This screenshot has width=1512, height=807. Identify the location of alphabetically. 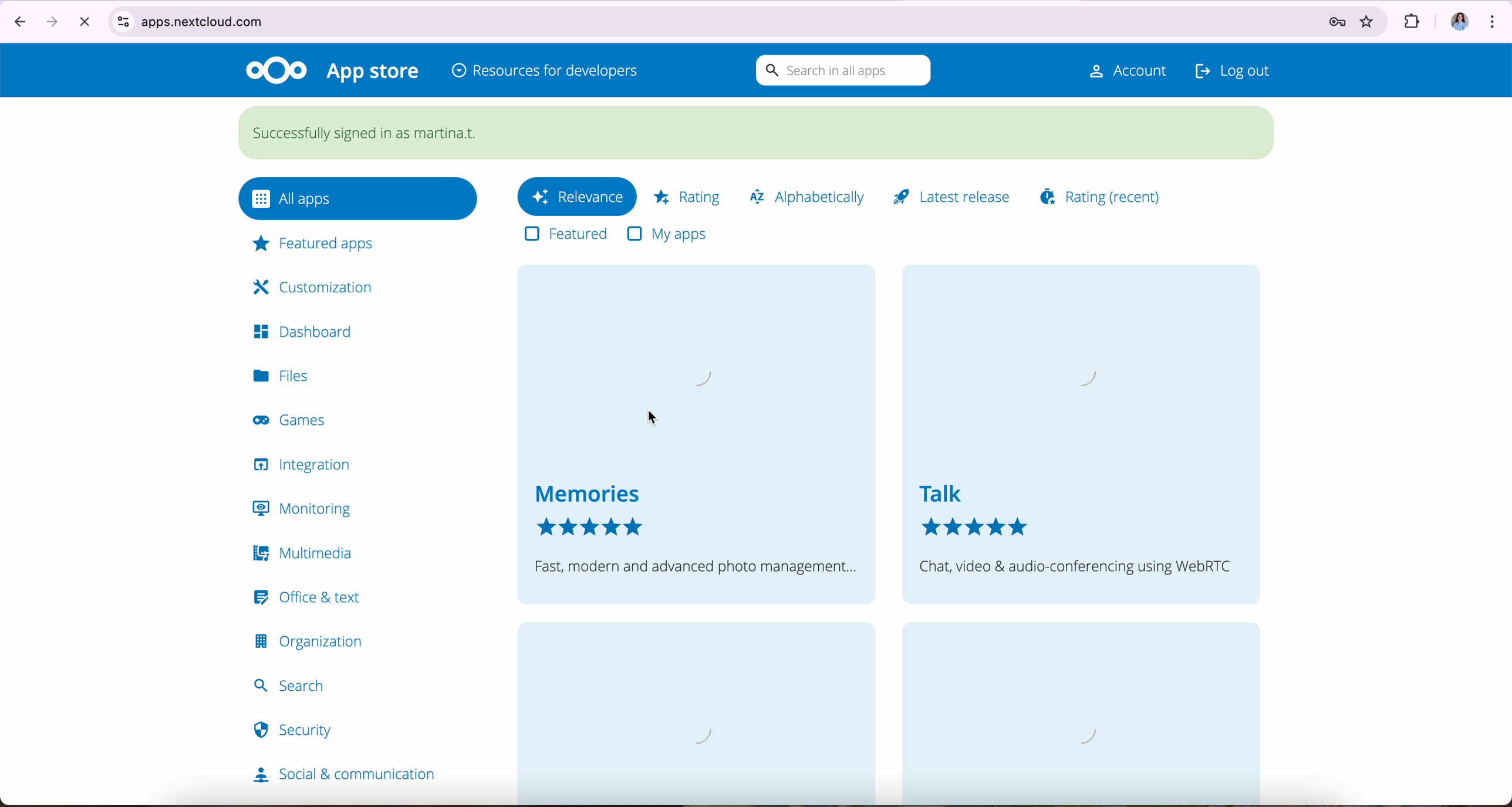
(812, 195).